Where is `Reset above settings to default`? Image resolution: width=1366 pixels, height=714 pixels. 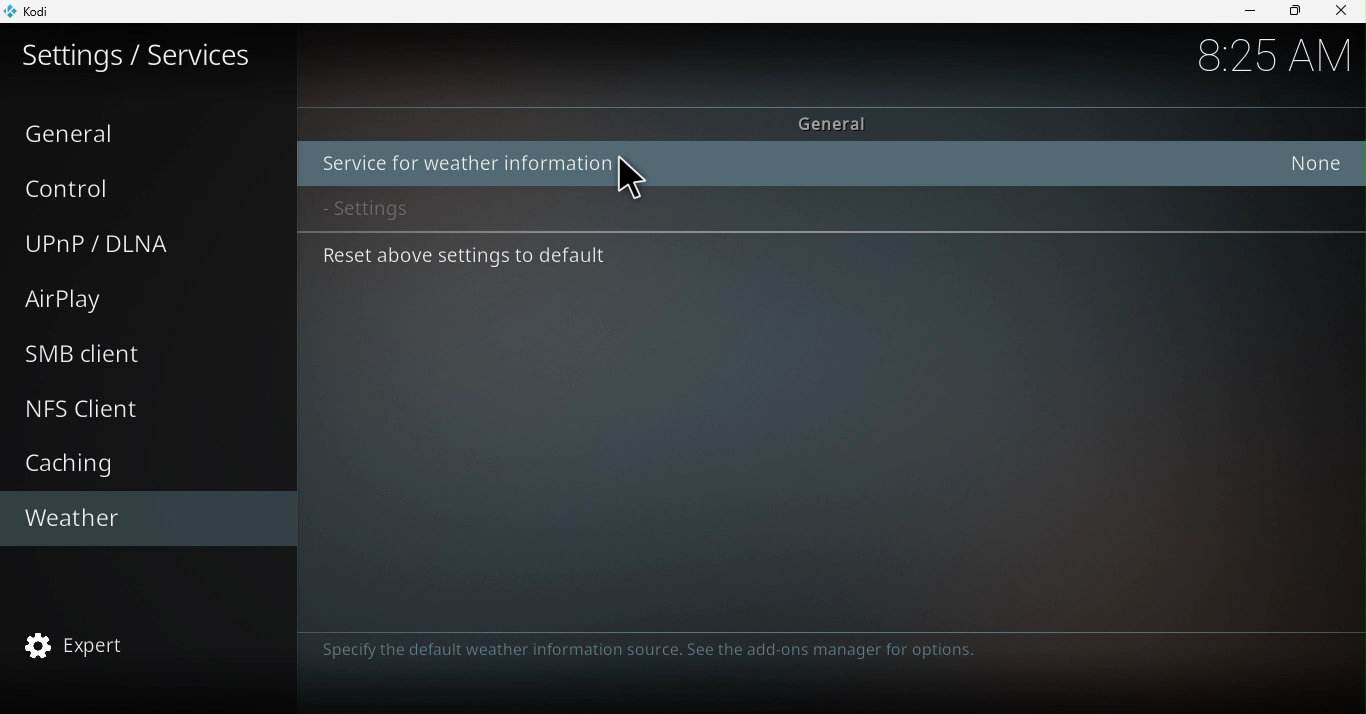 Reset above settings to default is located at coordinates (822, 259).